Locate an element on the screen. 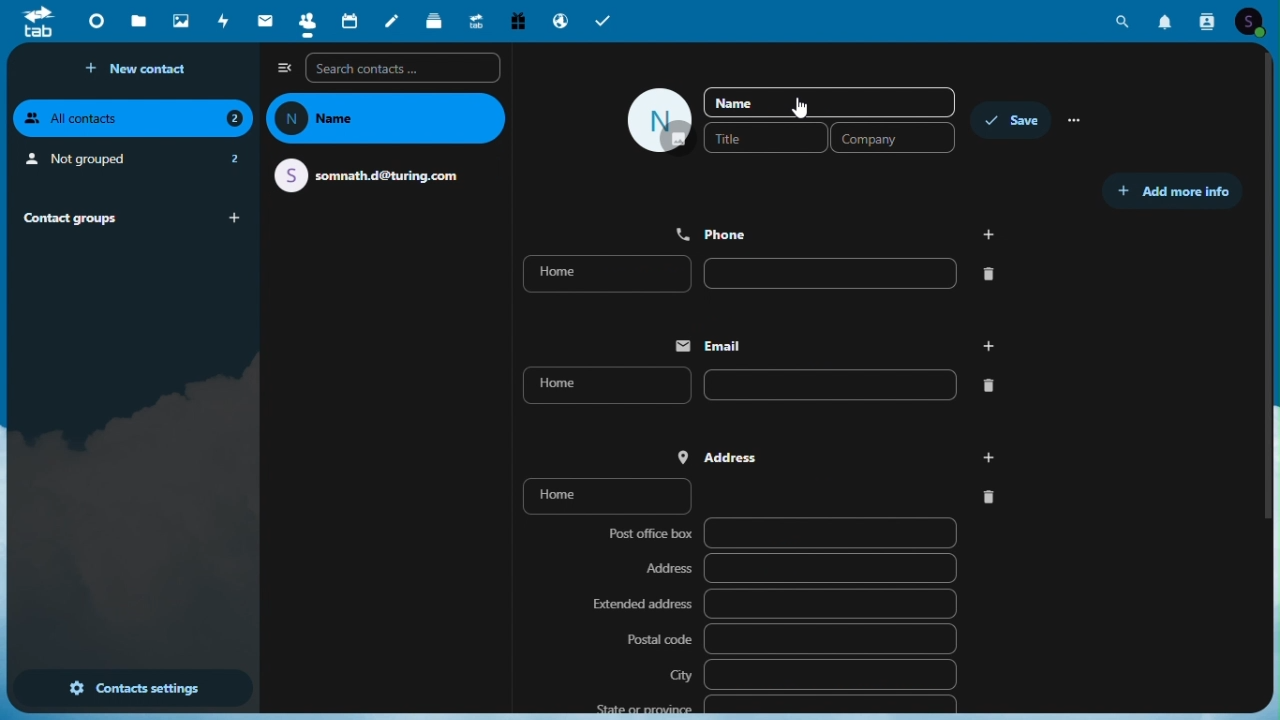  Email hosting is located at coordinates (560, 19).